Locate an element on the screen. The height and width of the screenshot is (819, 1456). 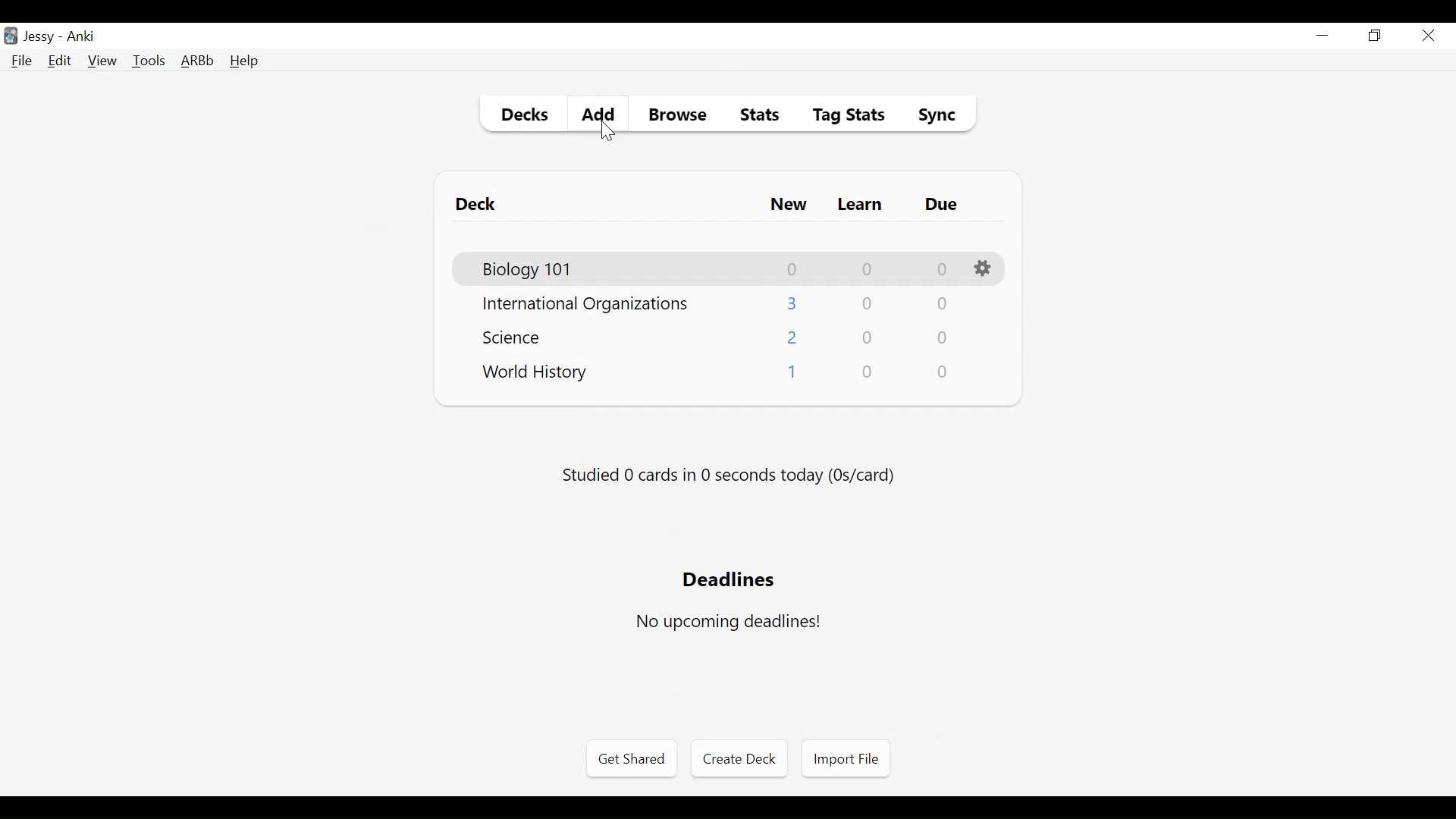
Deck is located at coordinates (479, 205).